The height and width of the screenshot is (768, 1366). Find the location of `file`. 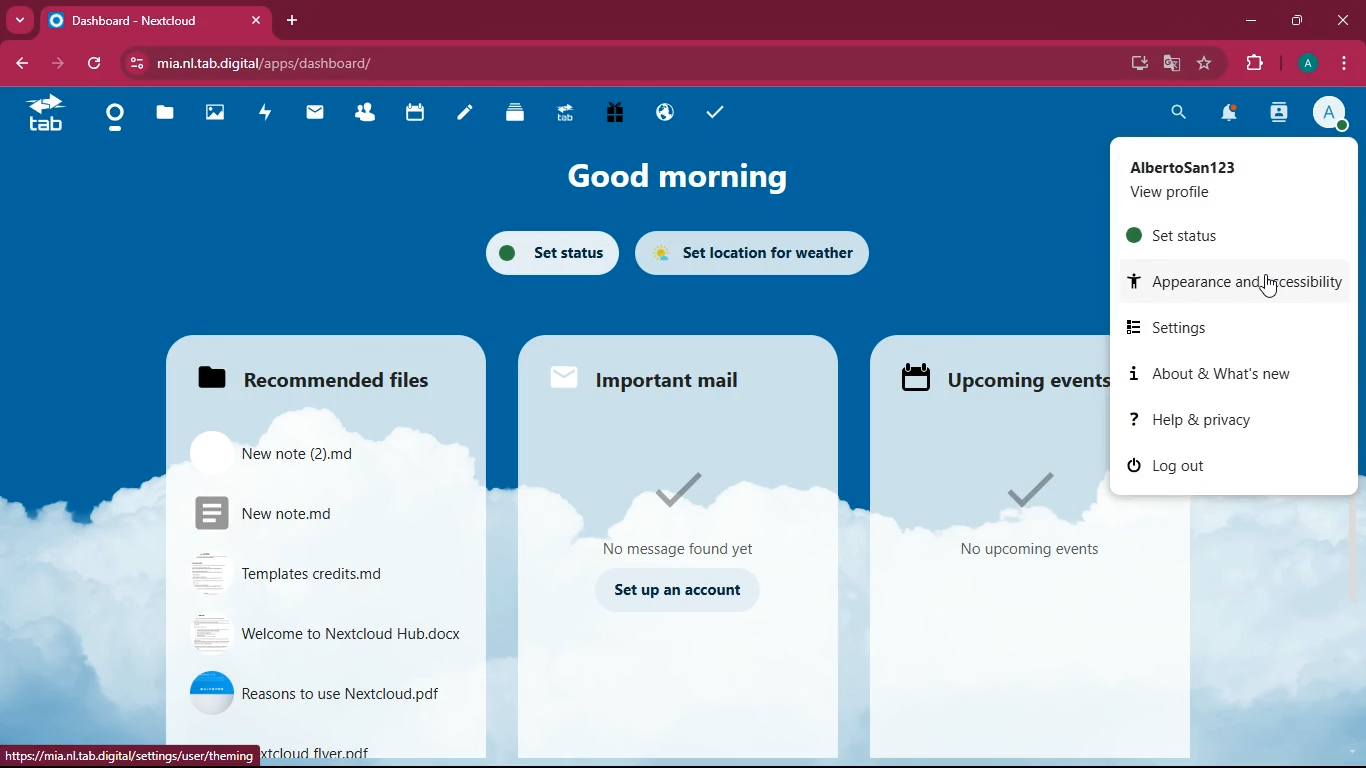

file is located at coordinates (324, 633).